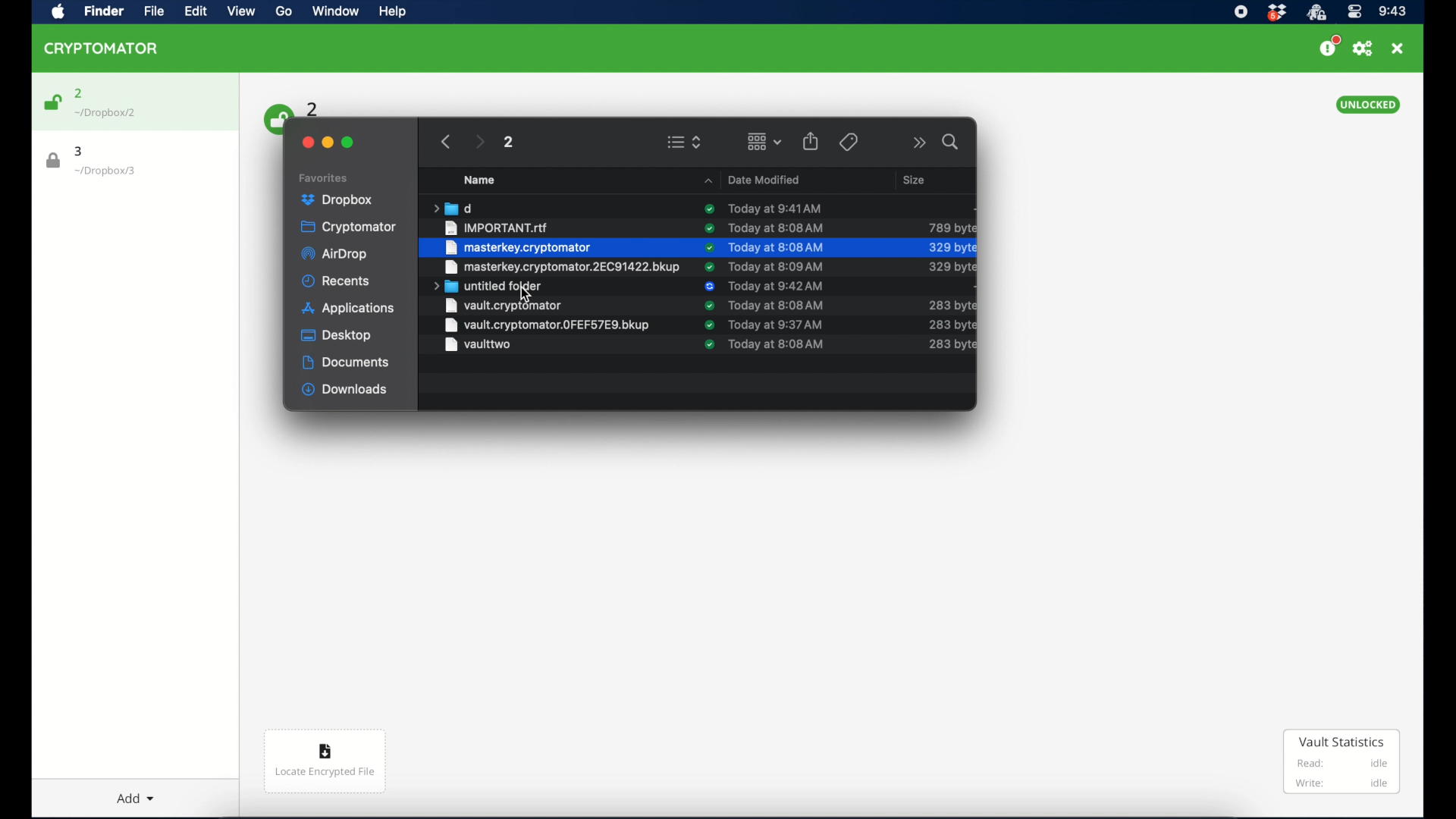 This screenshot has height=819, width=1456. Describe the element at coordinates (325, 761) in the screenshot. I see `locate encrypted file` at that location.